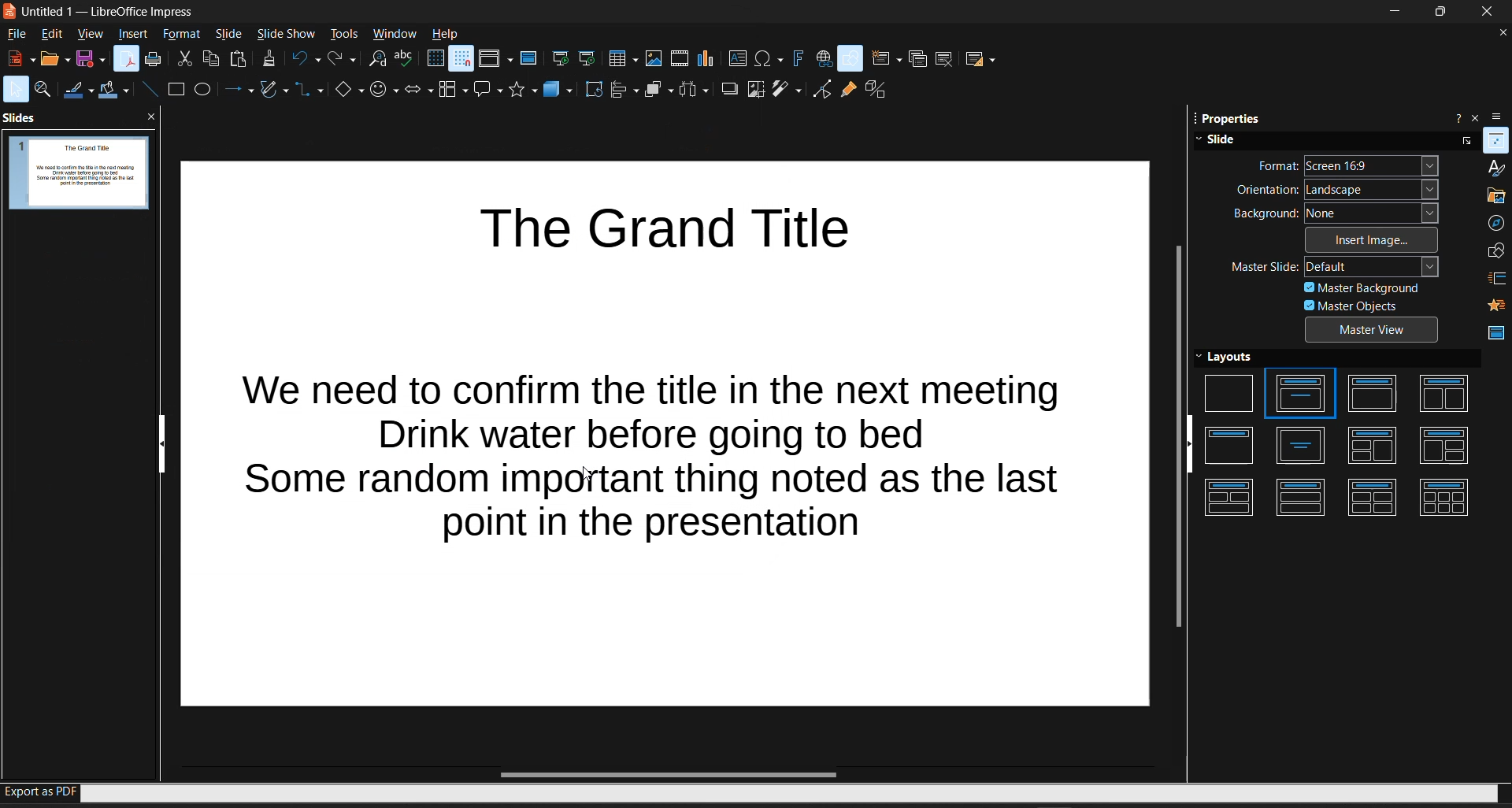 The height and width of the screenshot is (808, 1512). What do you see at coordinates (146, 88) in the screenshot?
I see `line` at bounding box center [146, 88].